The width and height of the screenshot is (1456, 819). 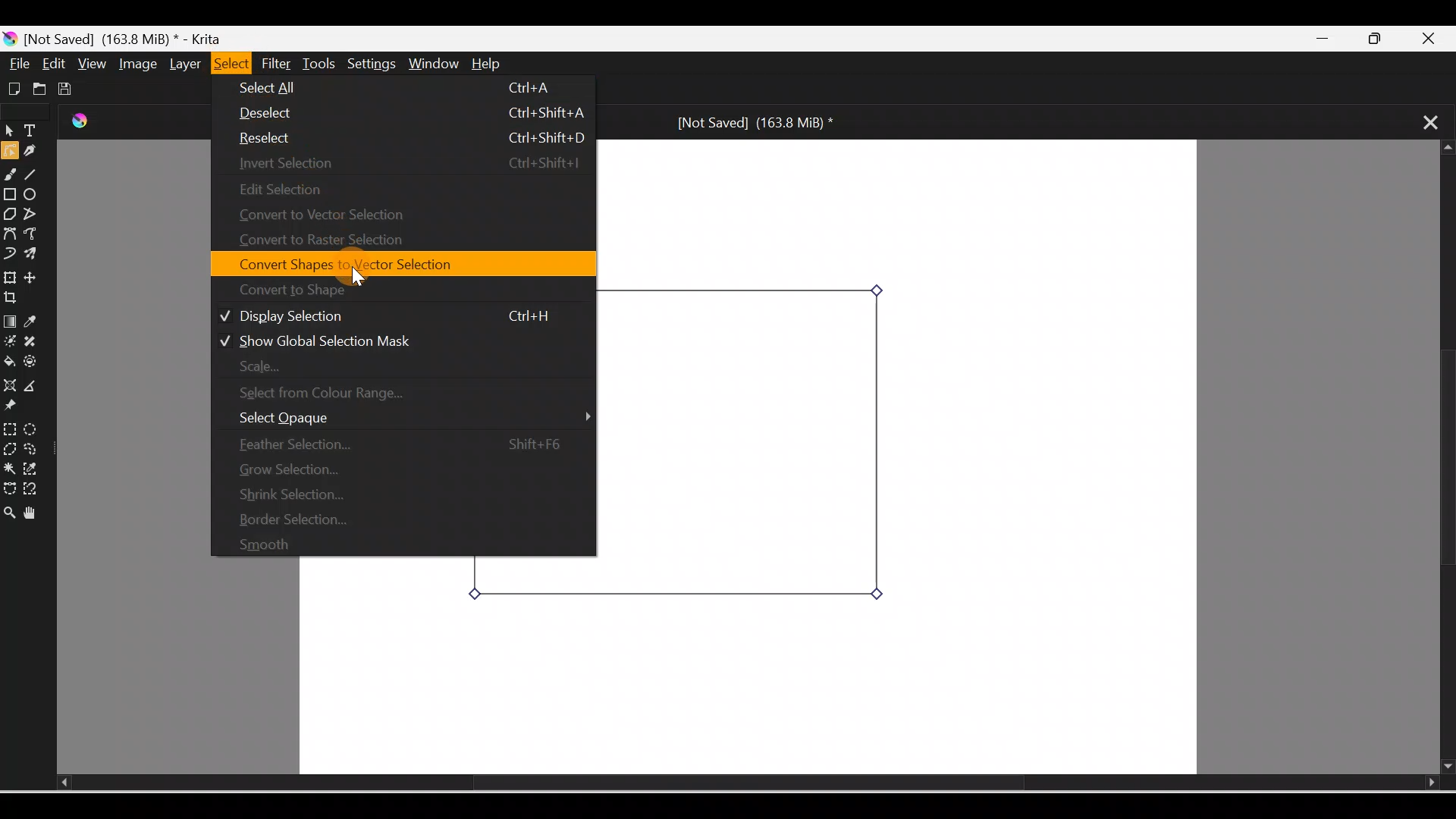 I want to click on Rectangle, so click(x=11, y=194).